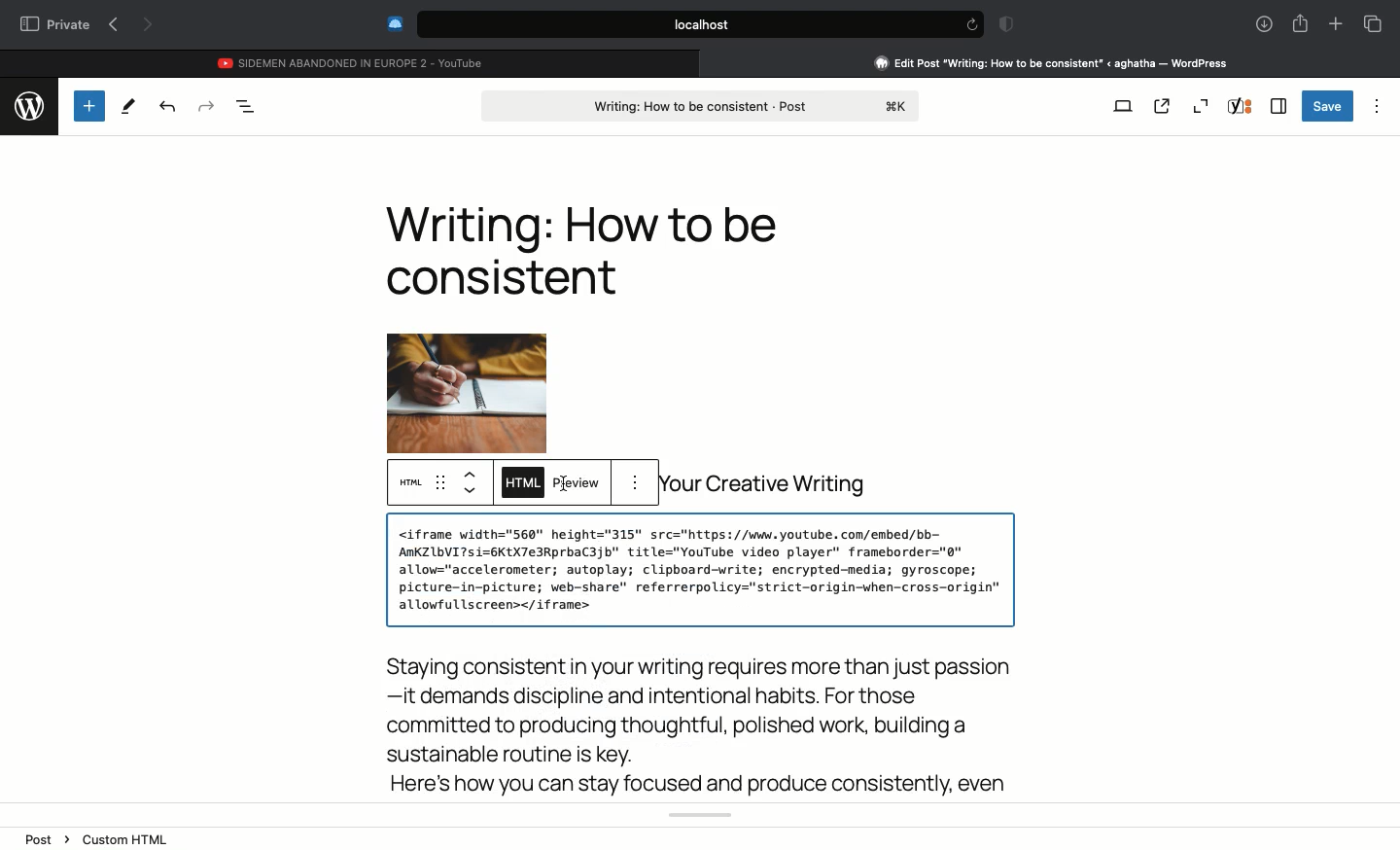  Describe the element at coordinates (682, 24) in the screenshot. I see `Search bar` at that location.